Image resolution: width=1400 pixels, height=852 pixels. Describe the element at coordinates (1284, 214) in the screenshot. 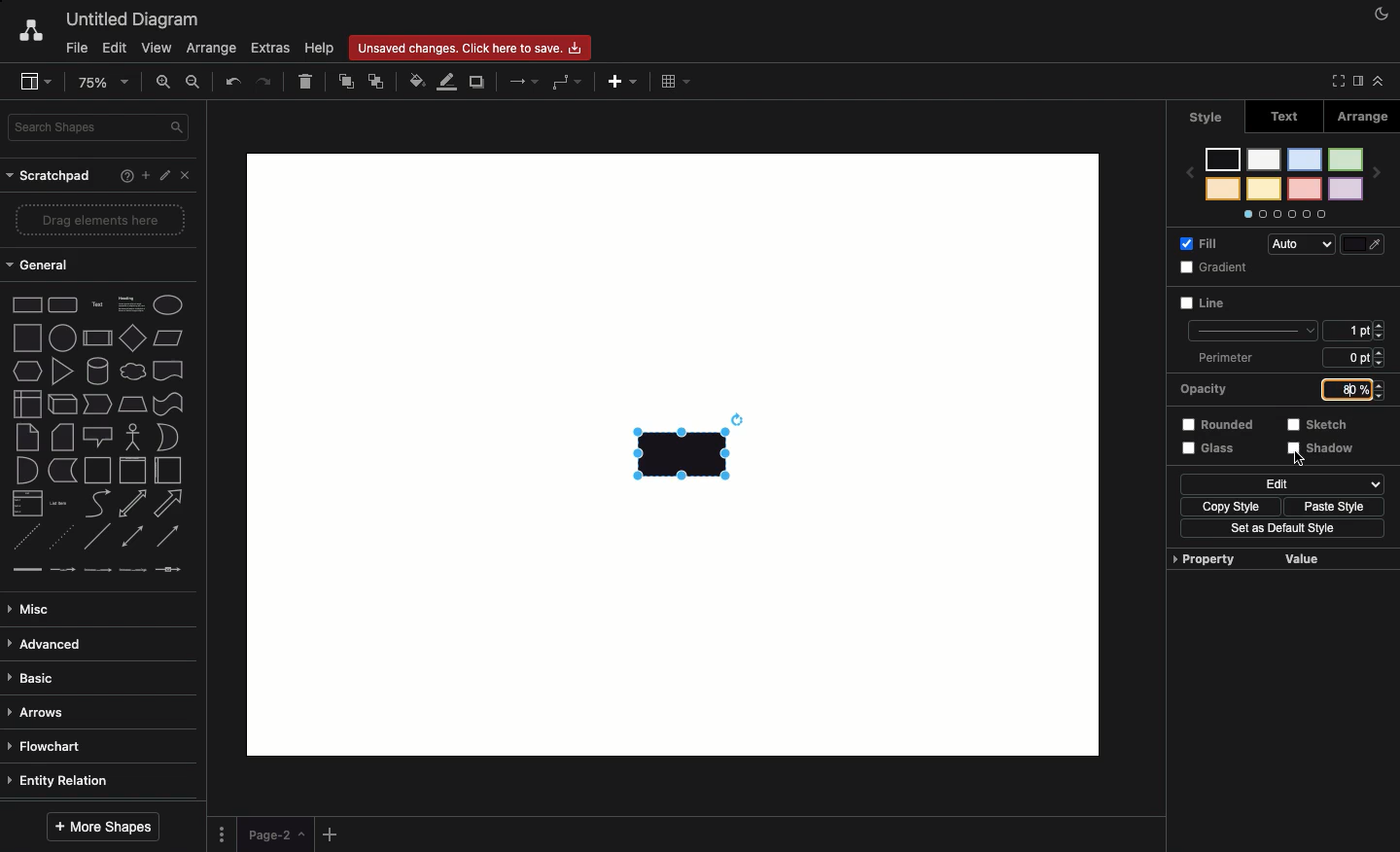

I see `Options` at that location.